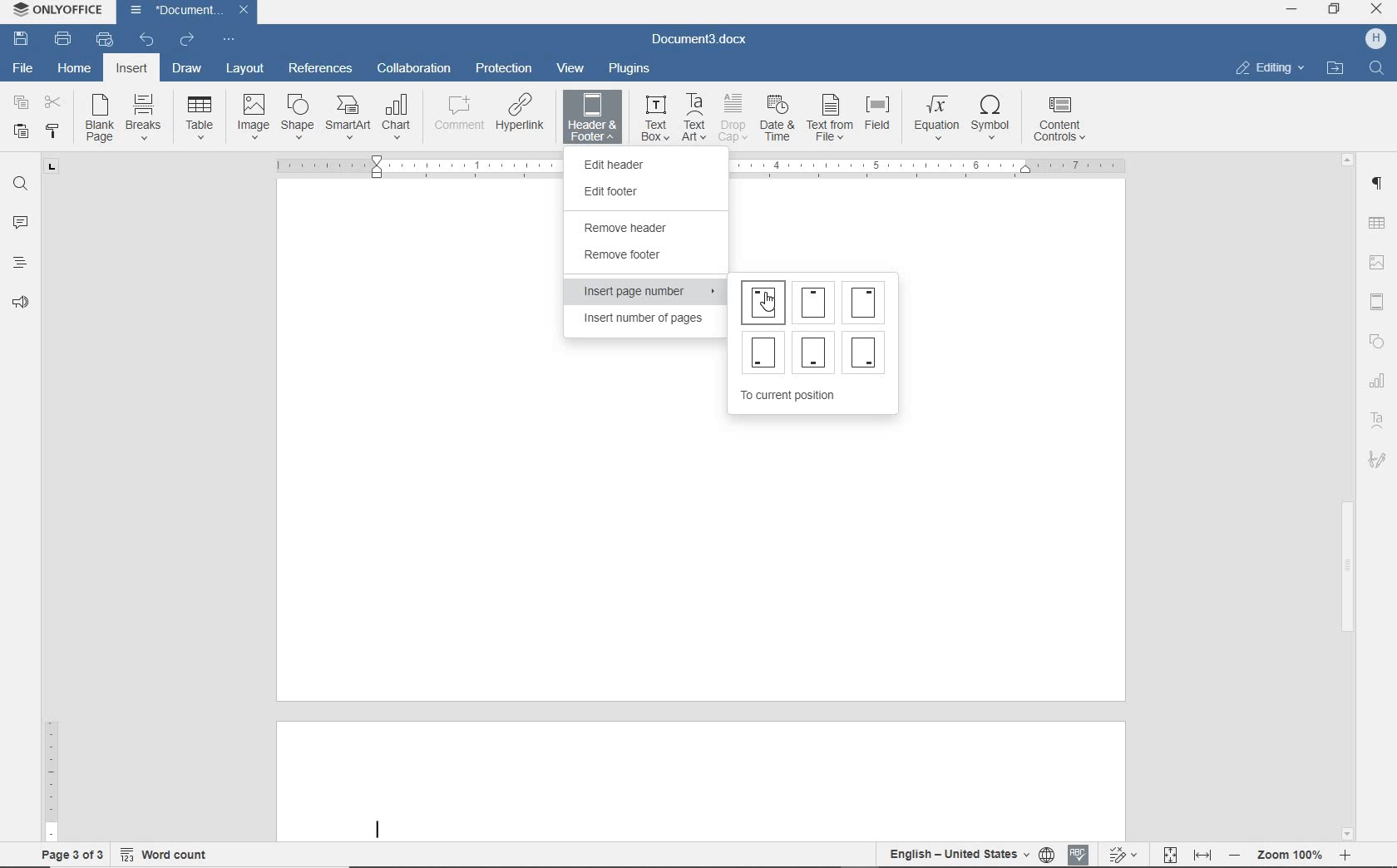 Image resolution: width=1397 pixels, height=868 pixels. What do you see at coordinates (147, 120) in the screenshot?
I see `BREAKS` at bounding box center [147, 120].